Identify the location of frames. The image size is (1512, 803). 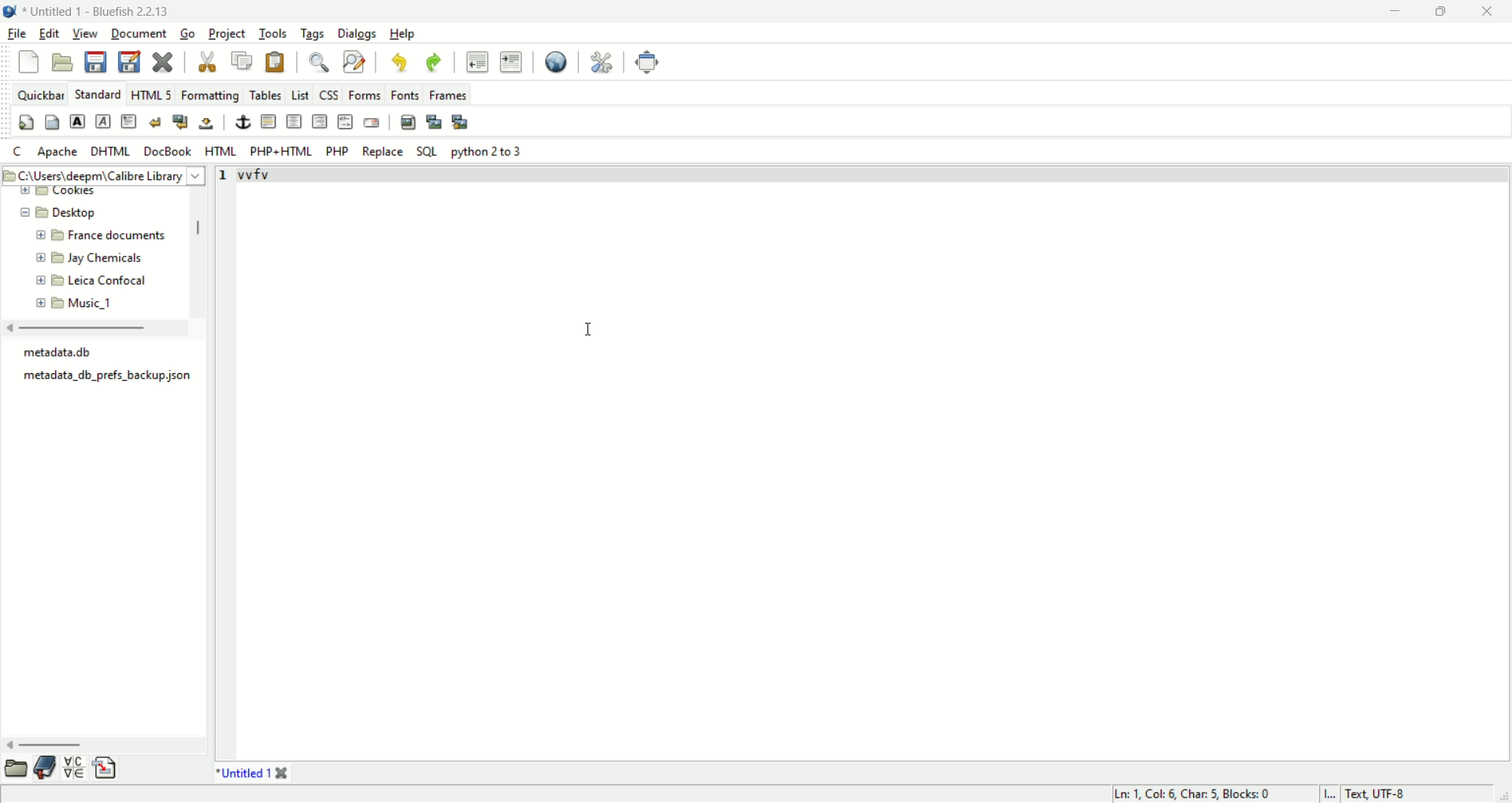
(446, 94).